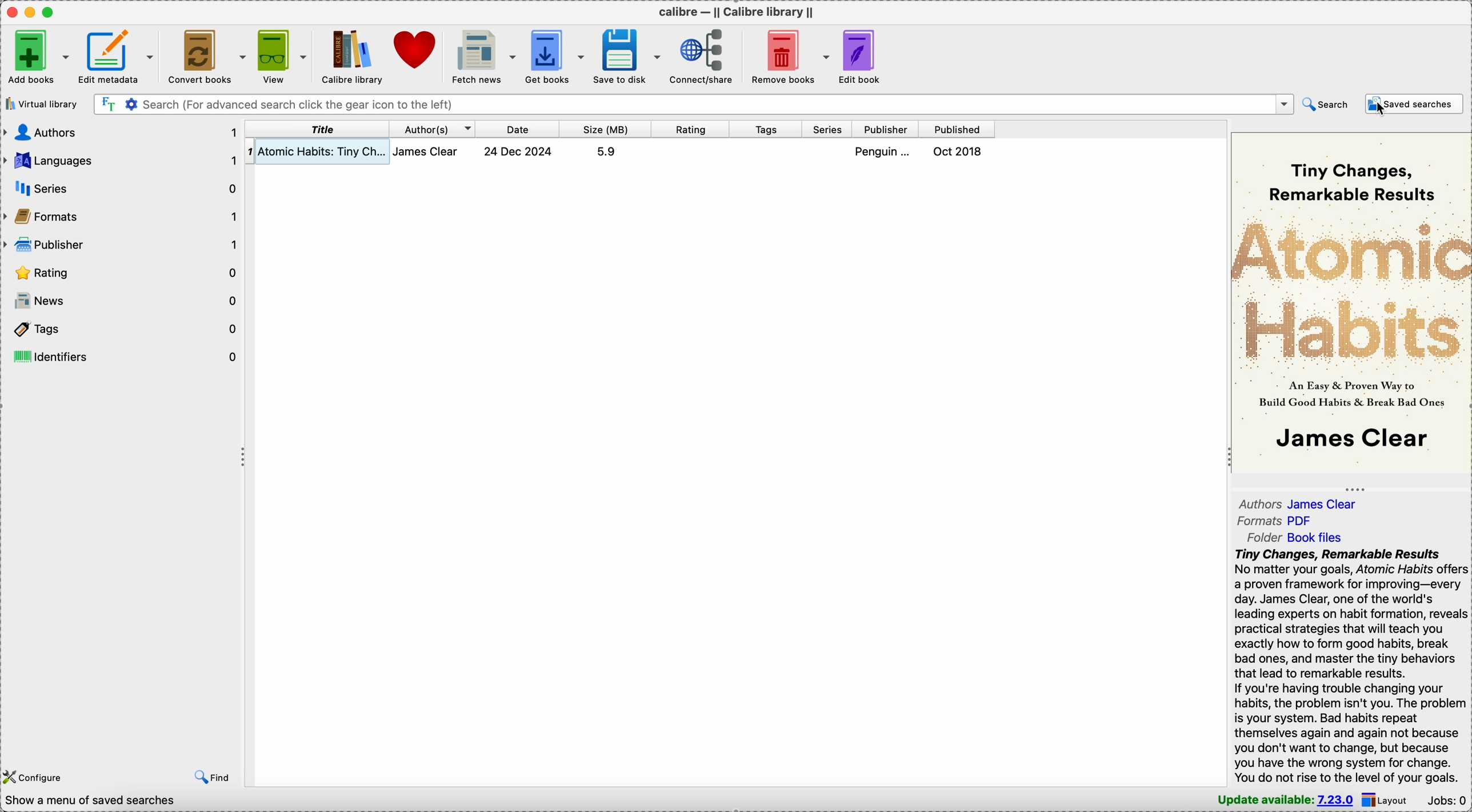  What do you see at coordinates (706, 55) in the screenshot?
I see `connect/share` at bounding box center [706, 55].